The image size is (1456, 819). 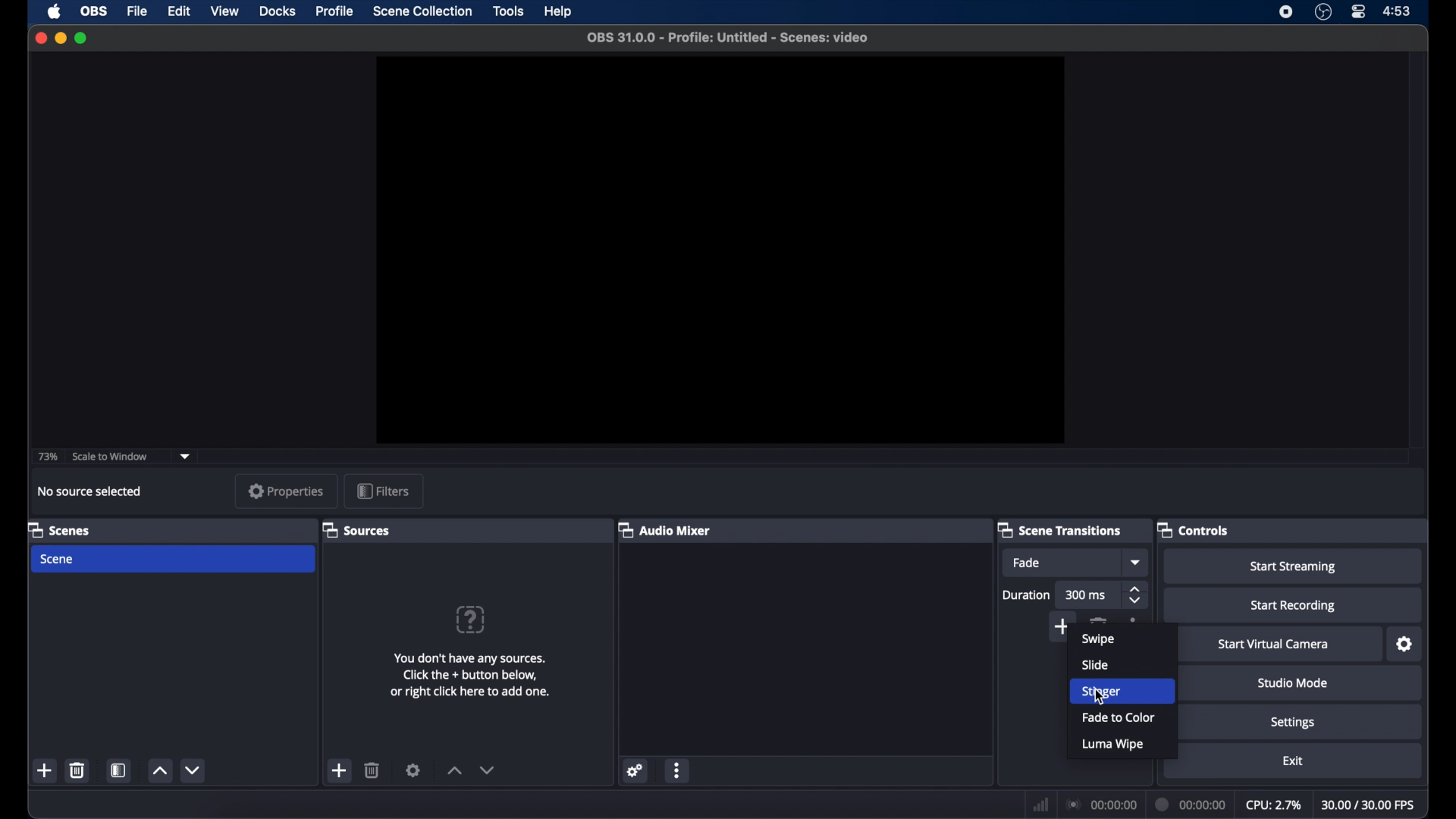 What do you see at coordinates (1114, 745) in the screenshot?
I see `luma wipe` at bounding box center [1114, 745].